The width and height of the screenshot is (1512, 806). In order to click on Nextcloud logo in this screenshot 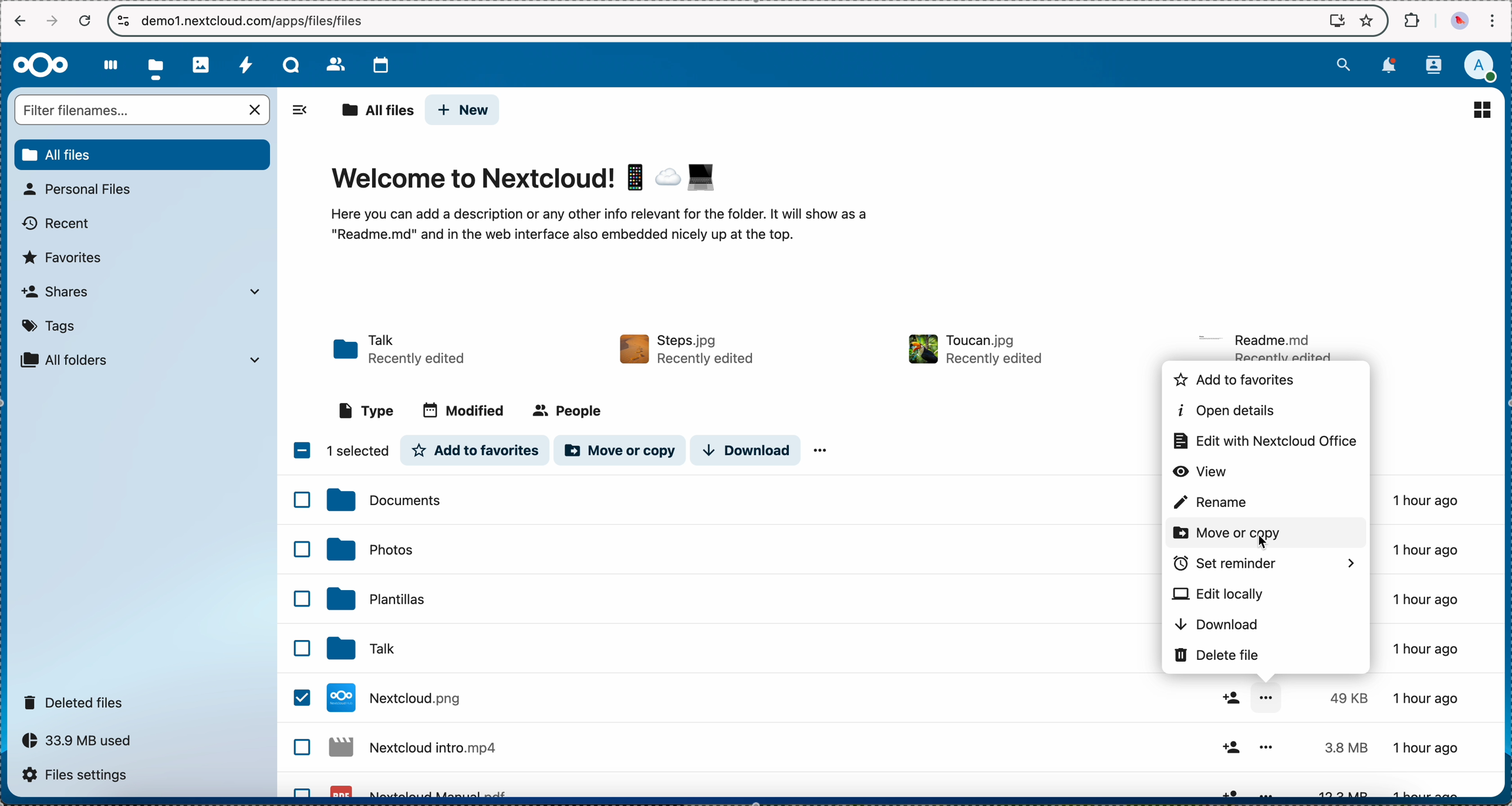, I will do `click(39, 65)`.